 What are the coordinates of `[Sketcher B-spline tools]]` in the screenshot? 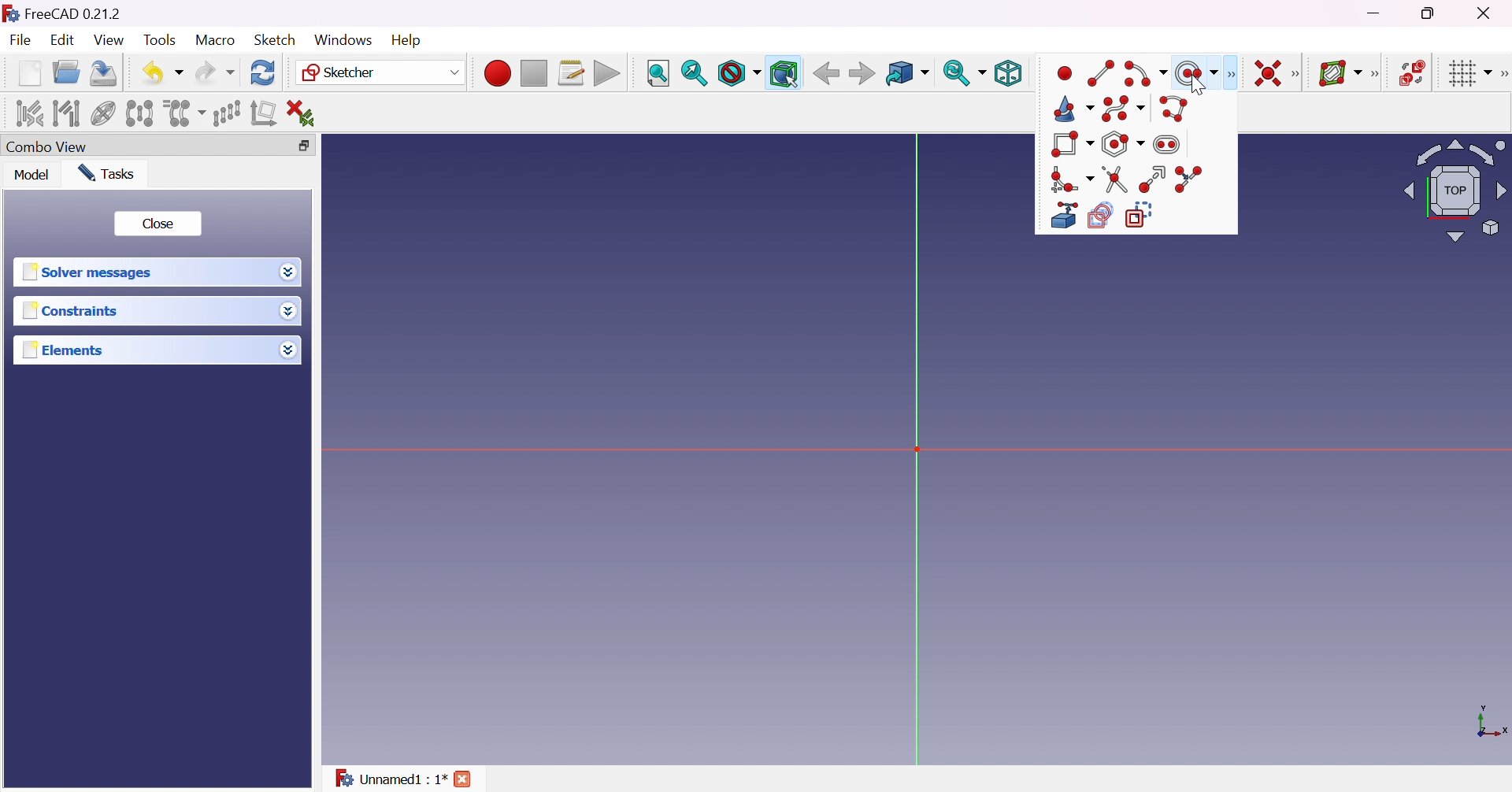 It's located at (1379, 74).